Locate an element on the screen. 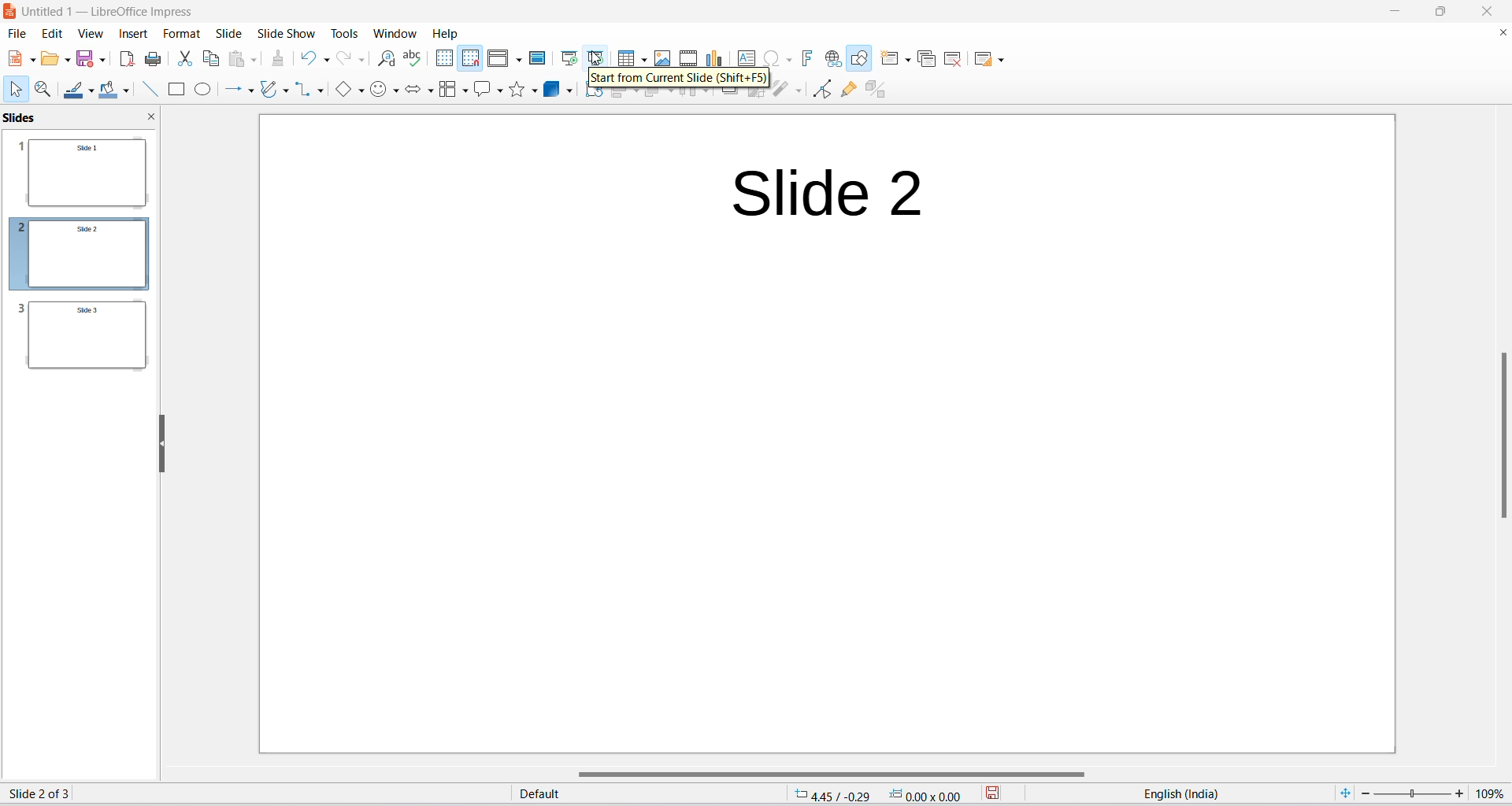  minimize is located at coordinates (1395, 10).